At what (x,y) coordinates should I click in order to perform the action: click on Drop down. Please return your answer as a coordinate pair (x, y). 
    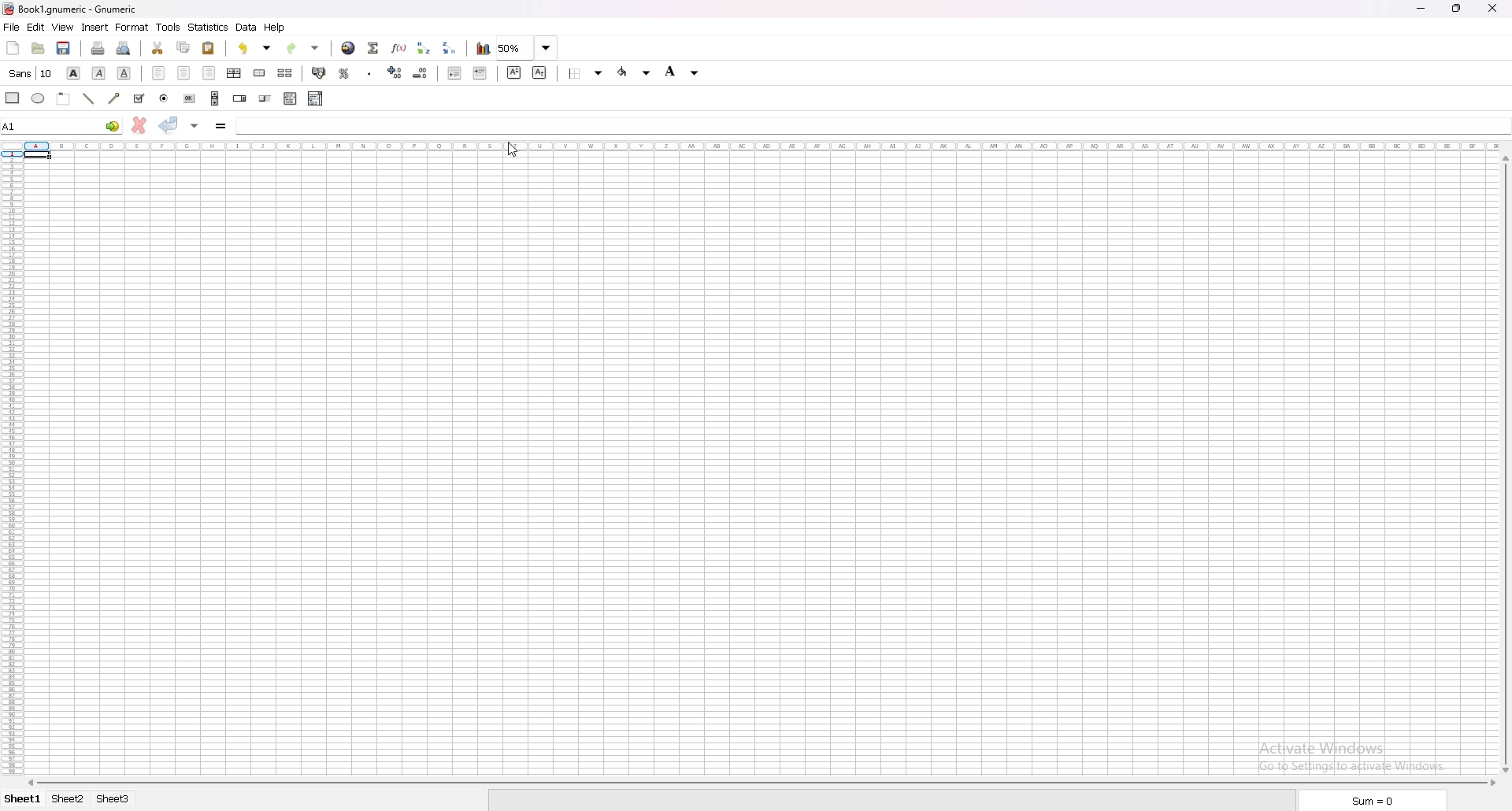
    Looking at the image, I should click on (546, 48).